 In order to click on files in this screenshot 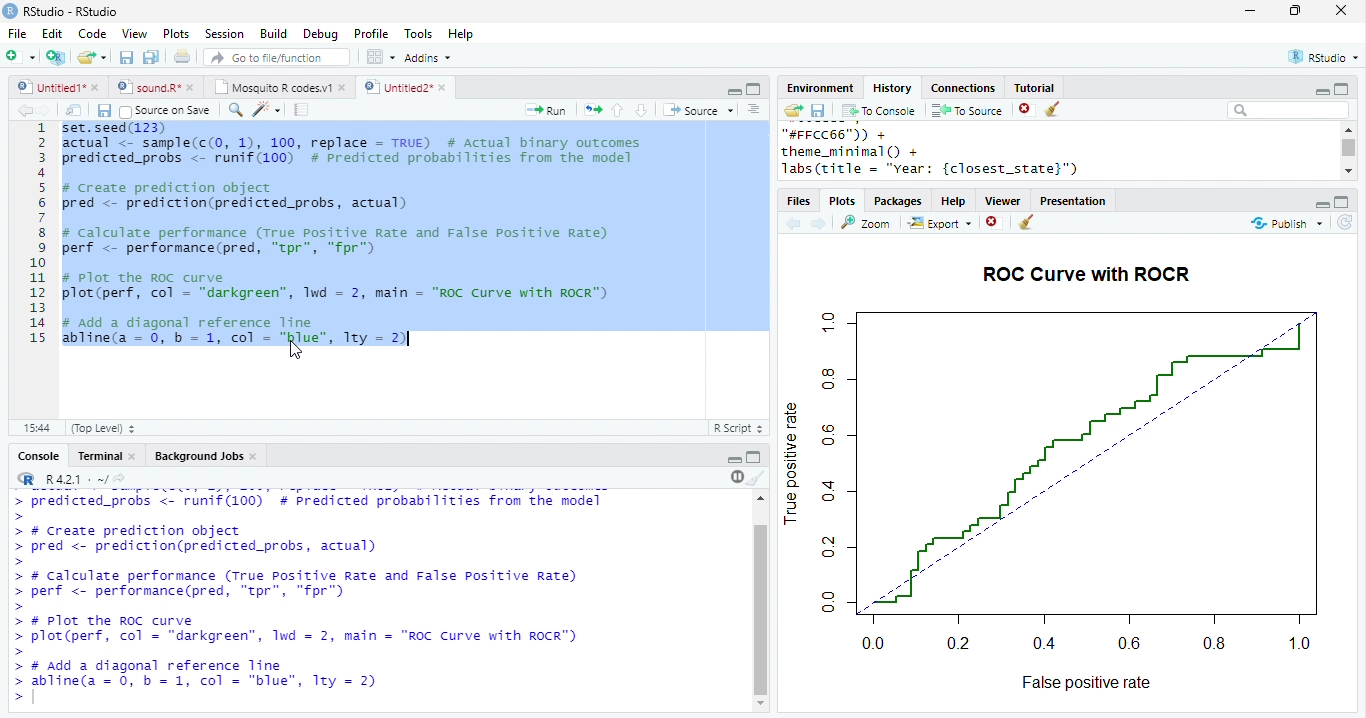, I will do `click(800, 202)`.